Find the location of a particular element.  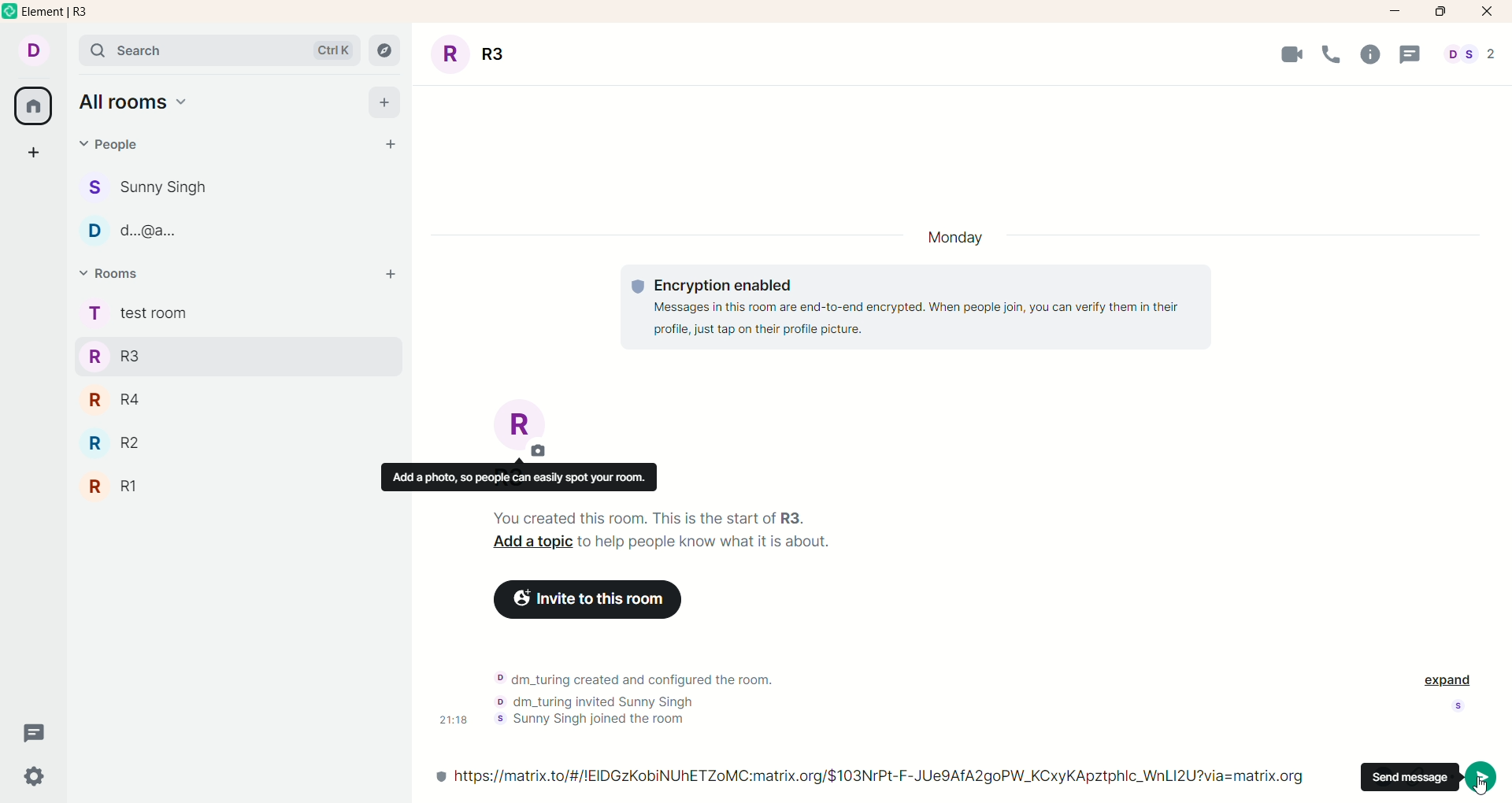

ay is located at coordinates (958, 240).